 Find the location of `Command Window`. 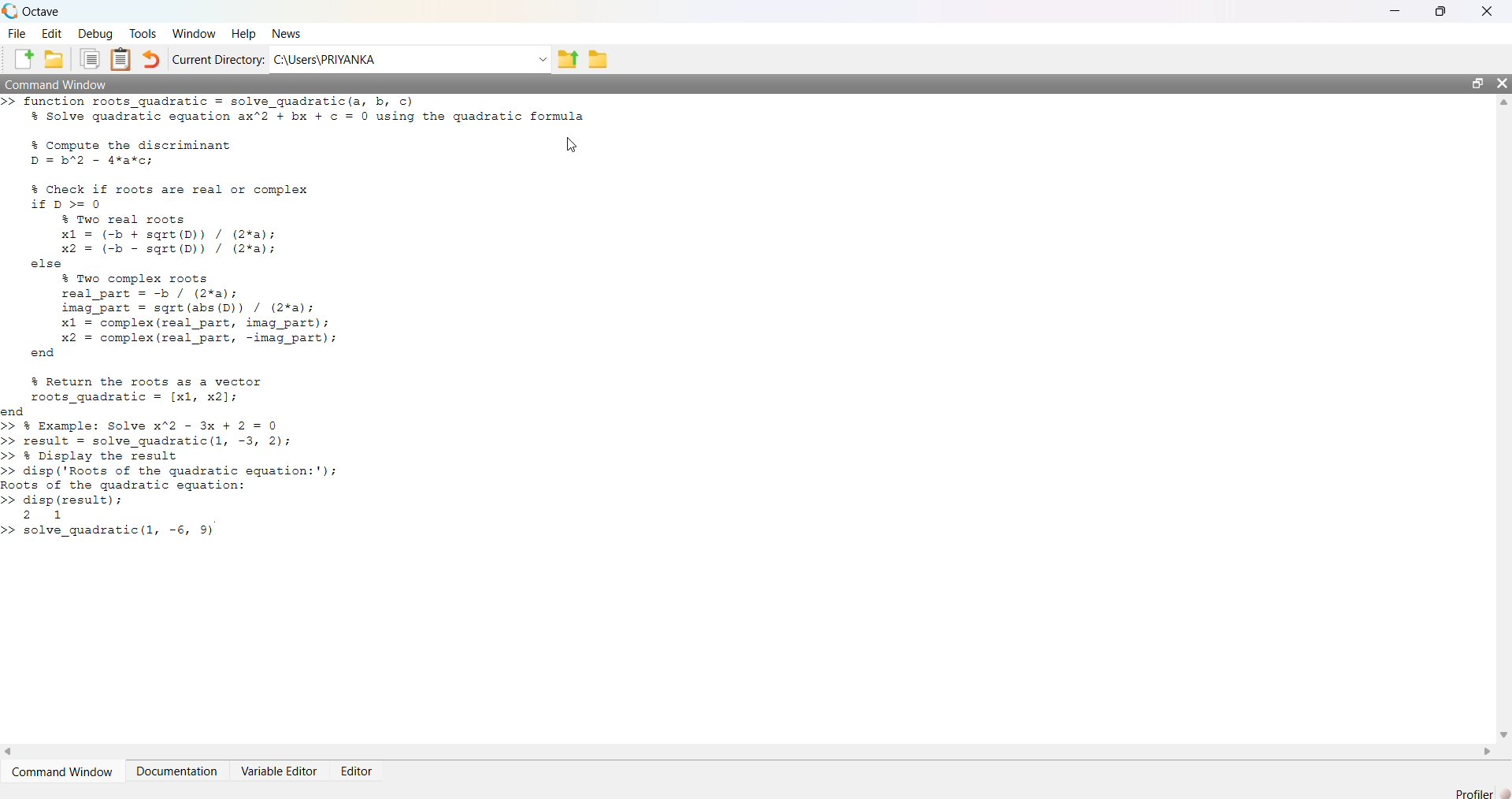

Command Window is located at coordinates (61, 82).